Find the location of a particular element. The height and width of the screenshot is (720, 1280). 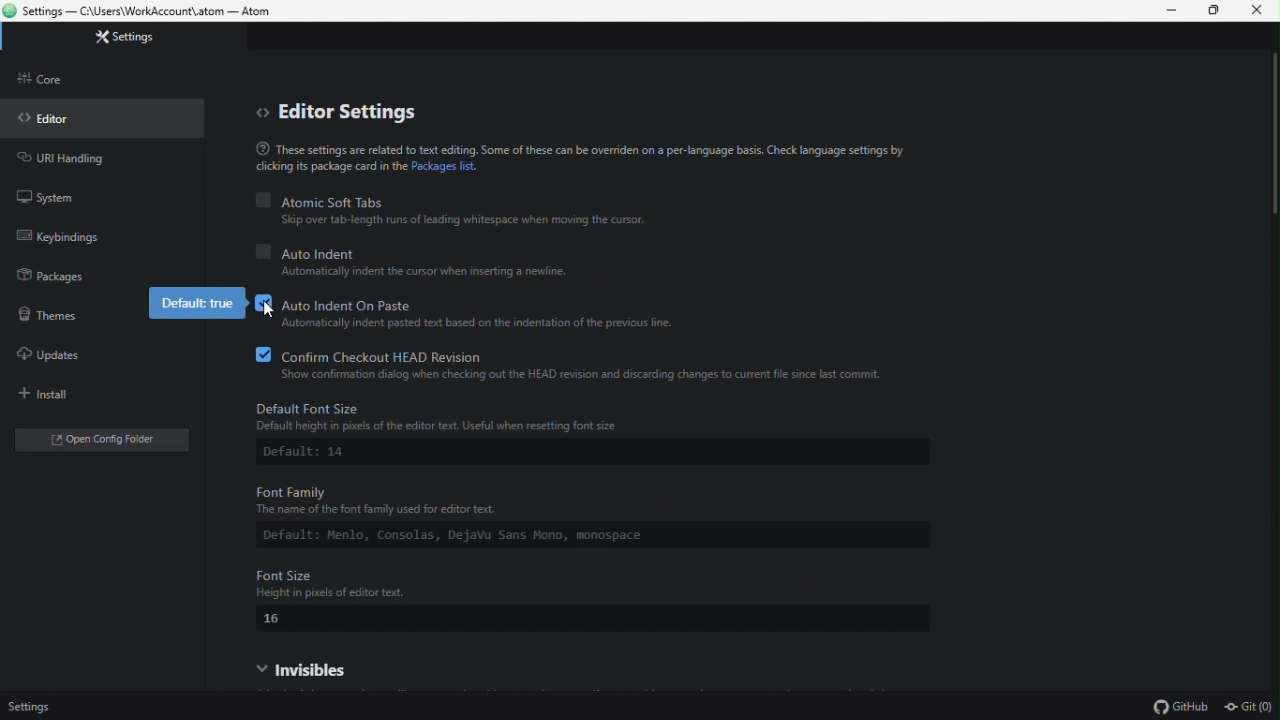

Restore is located at coordinates (1215, 13).